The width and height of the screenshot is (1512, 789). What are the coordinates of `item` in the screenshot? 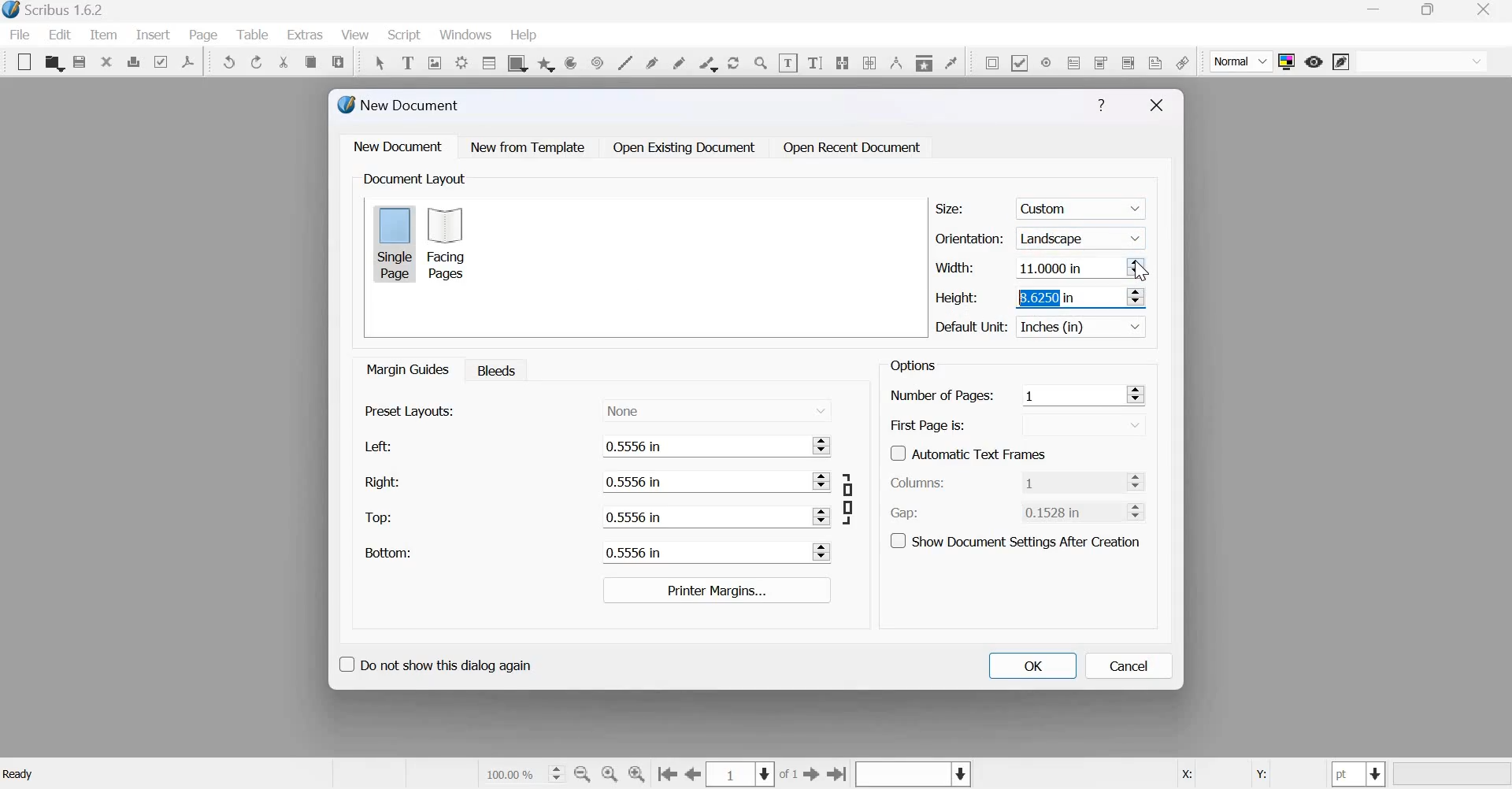 It's located at (102, 35).